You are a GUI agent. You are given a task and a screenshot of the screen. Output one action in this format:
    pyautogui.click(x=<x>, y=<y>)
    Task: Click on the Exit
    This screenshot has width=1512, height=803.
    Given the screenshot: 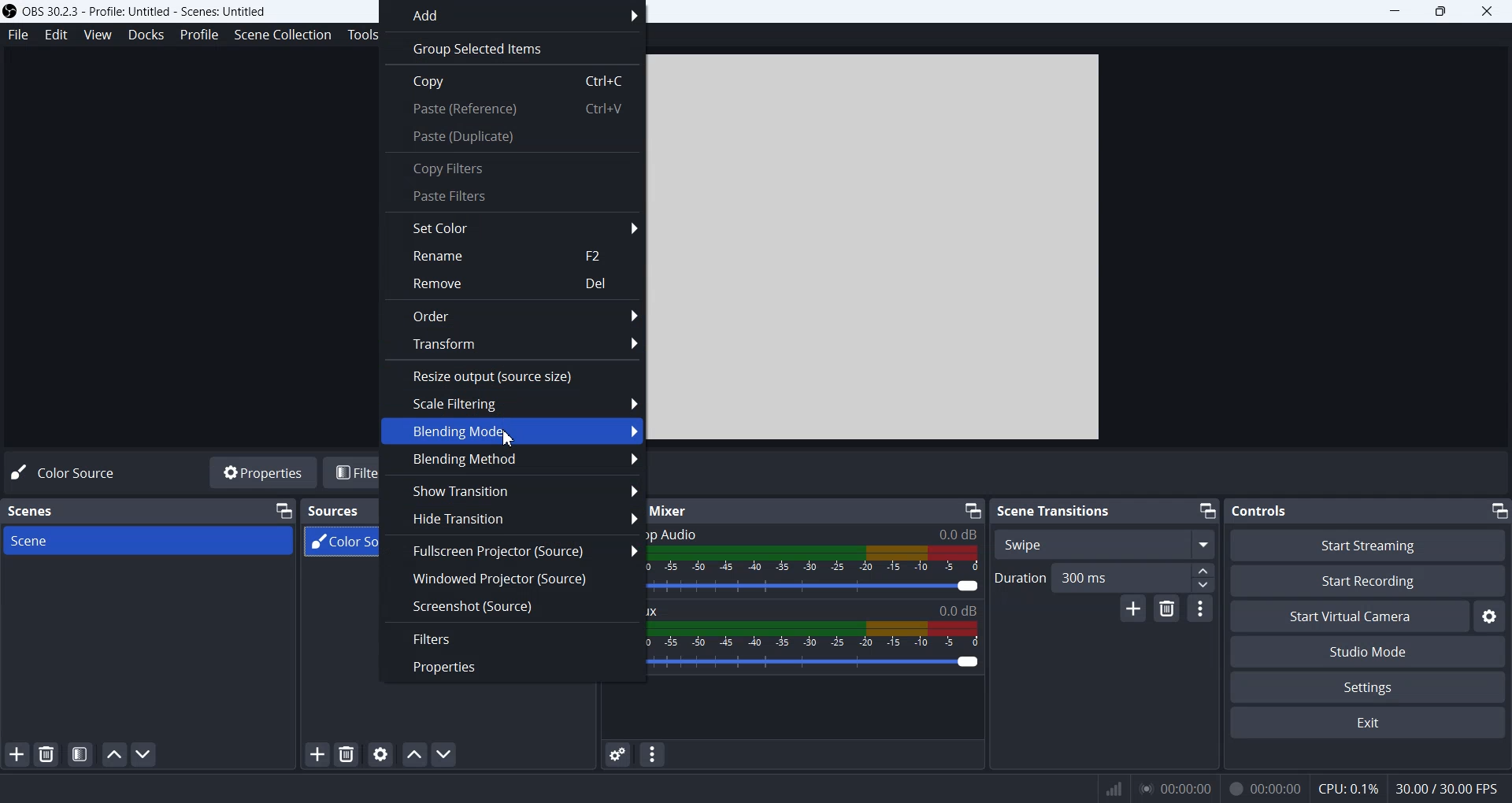 What is the action you would take?
    pyautogui.click(x=1369, y=724)
    